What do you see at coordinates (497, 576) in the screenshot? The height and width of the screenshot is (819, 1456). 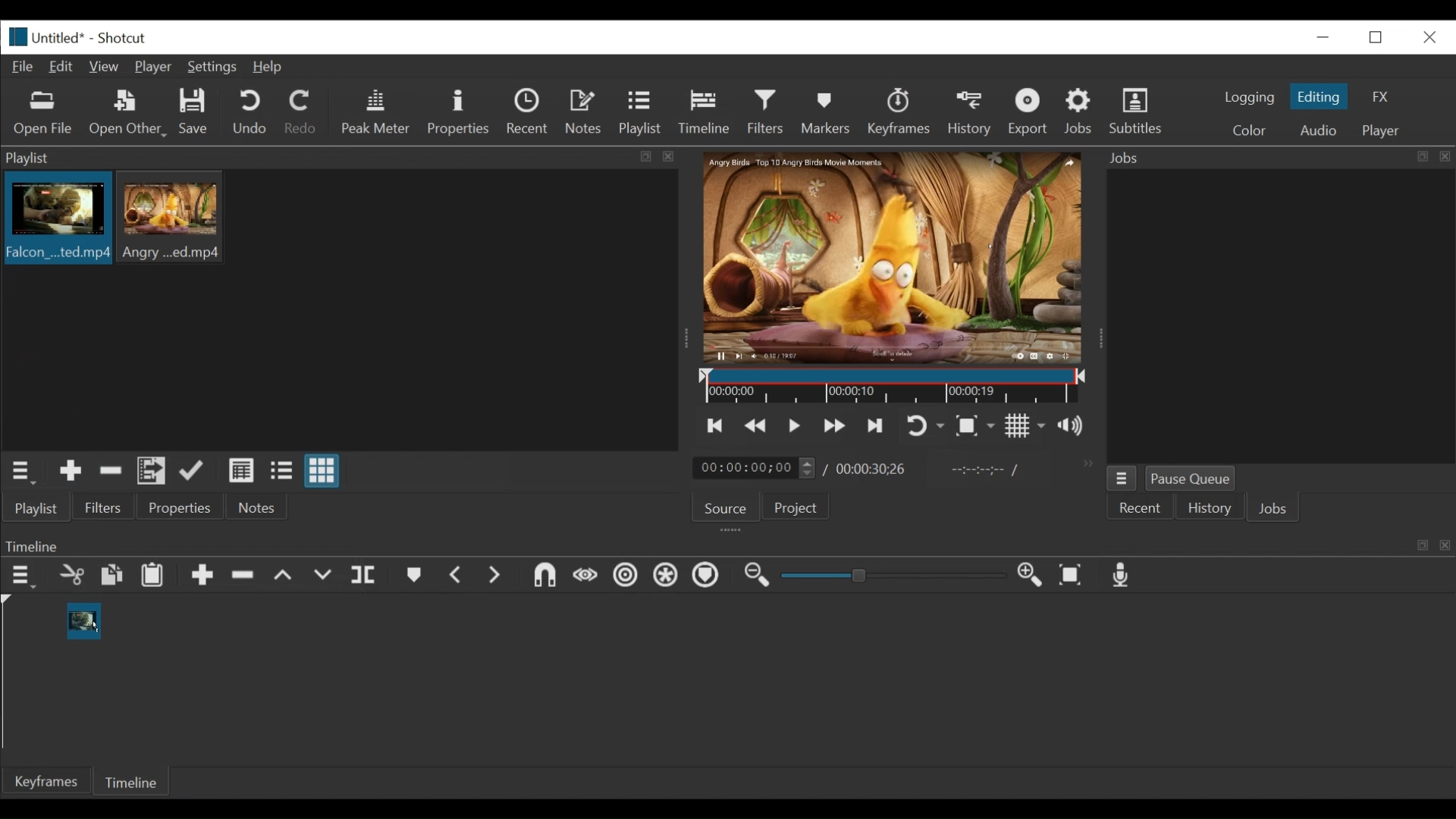 I see `next marker` at bounding box center [497, 576].